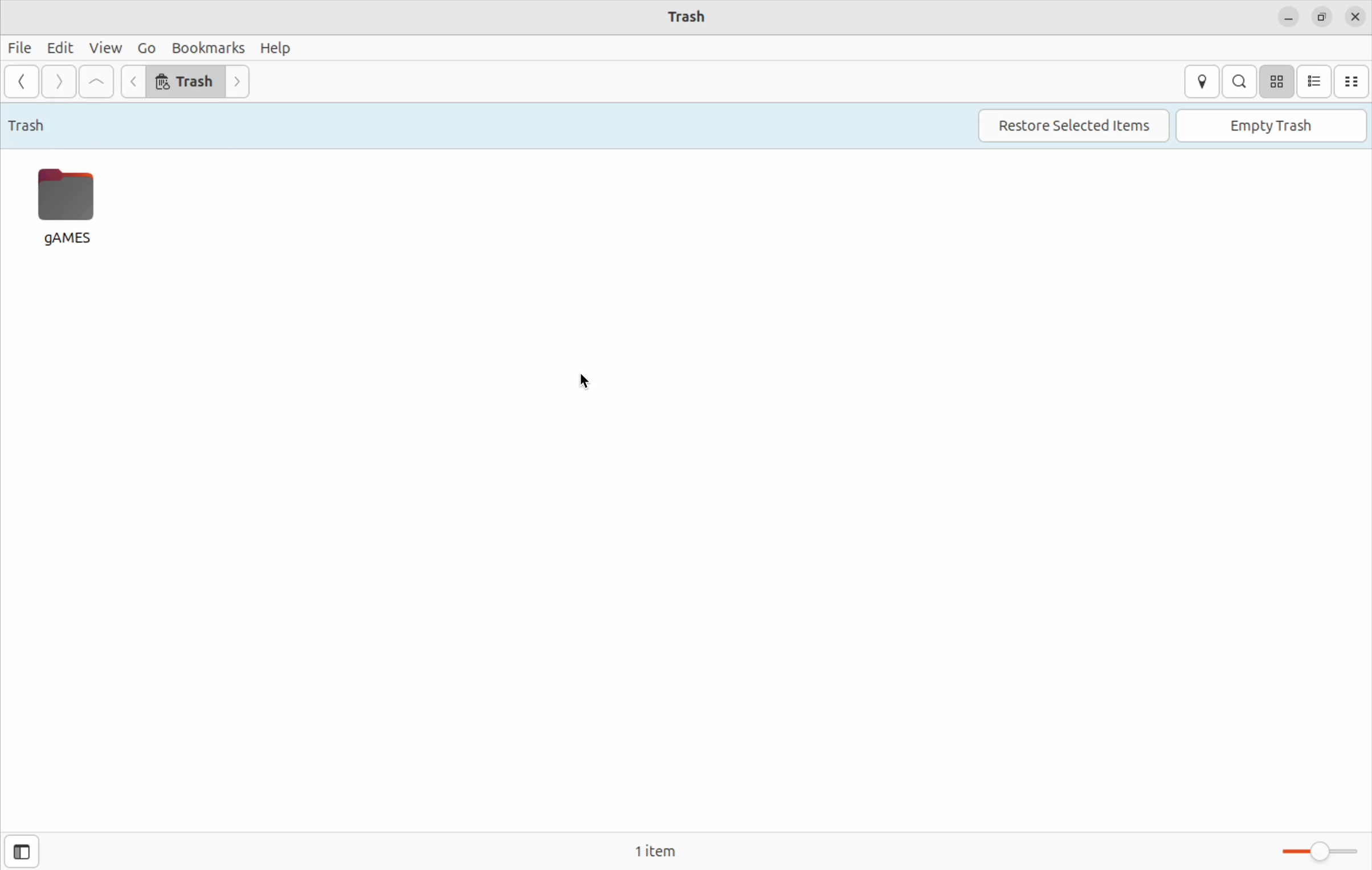  What do you see at coordinates (1355, 82) in the screenshot?
I see `compact view` at bounding box center [1355, 82].